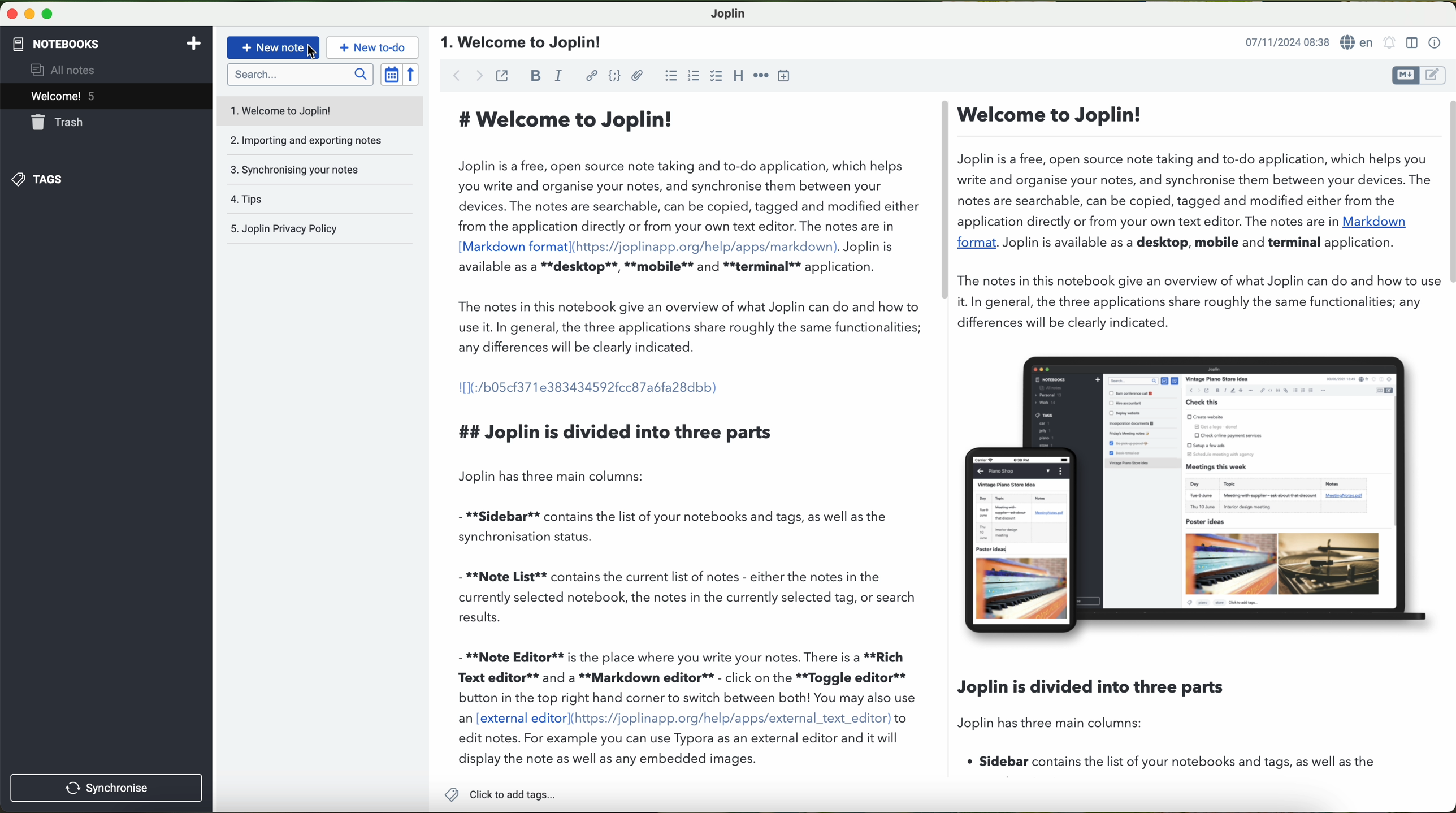 The image size is (1456, 813). Describe the element at coordinates (274, 47) in the screenshot. I see `new note button` at that location.